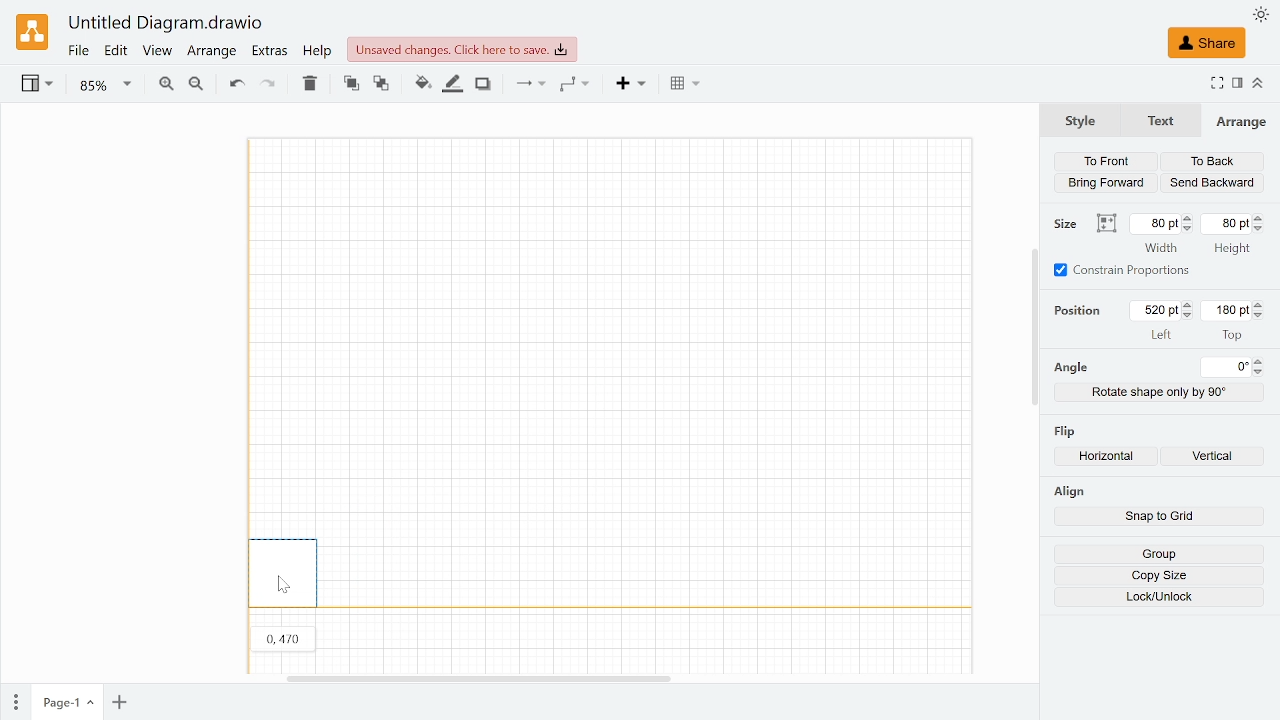 This screenshot has height=720, width=1280. I want to click on Untitled Diagram.drawio, so click(166, 24).